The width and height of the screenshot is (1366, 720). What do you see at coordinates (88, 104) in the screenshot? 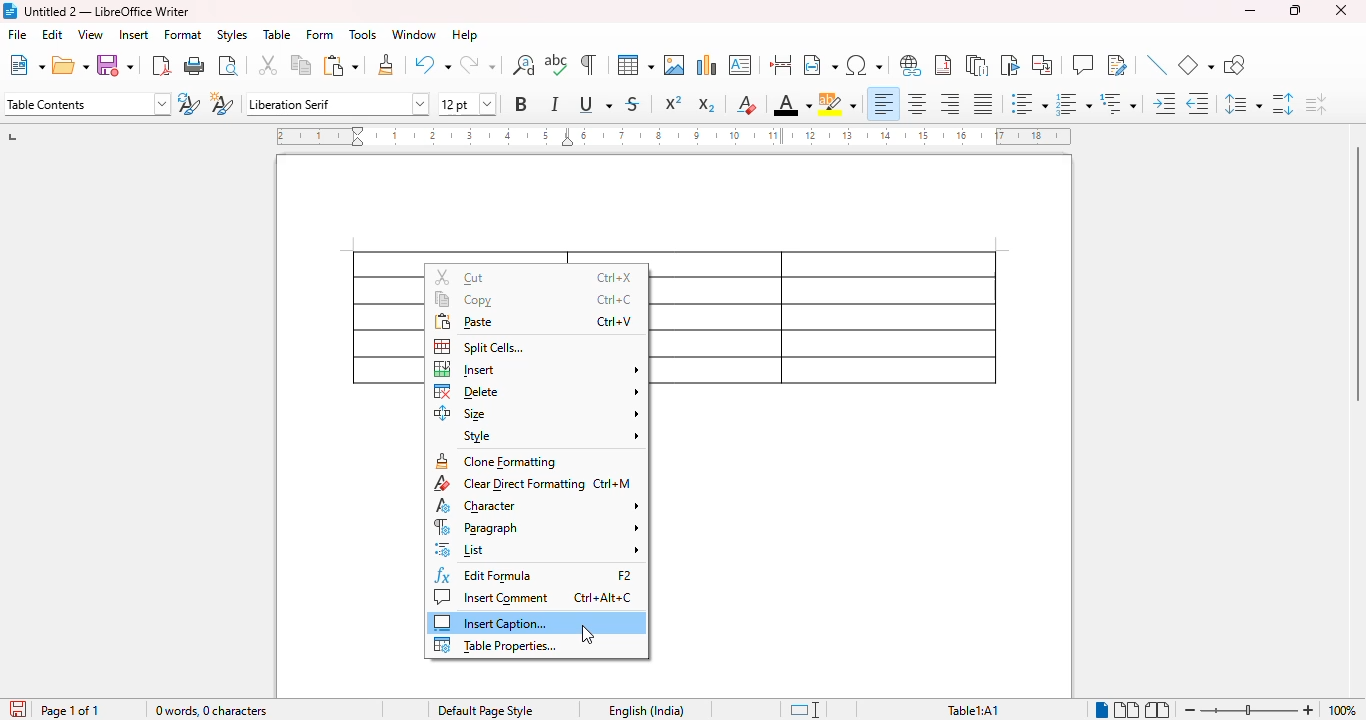
I see `set page style` at bounding box center [88, 104].